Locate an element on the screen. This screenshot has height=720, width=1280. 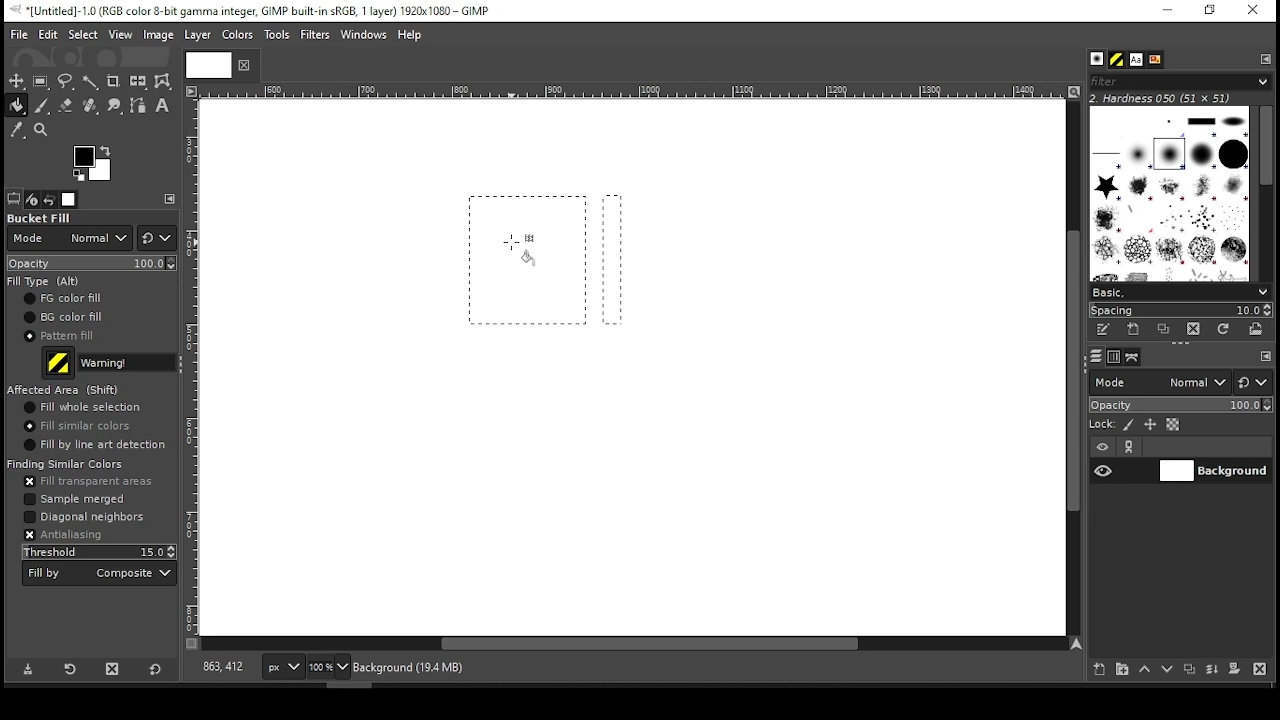
brushes is located at coordinates (1169, 193).